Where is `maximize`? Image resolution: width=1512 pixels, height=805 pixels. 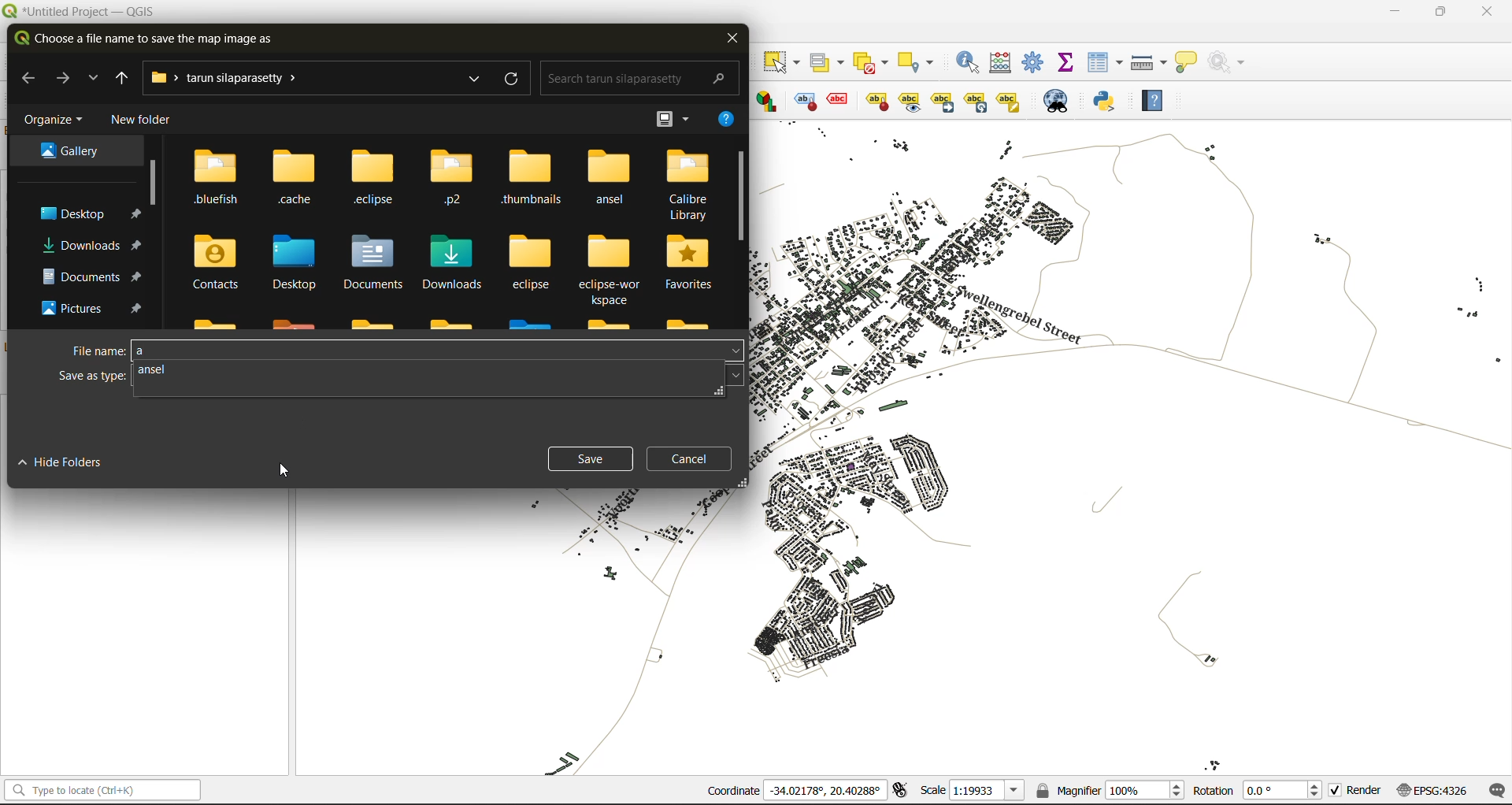 maximize is located at coordinates (1441, 12).